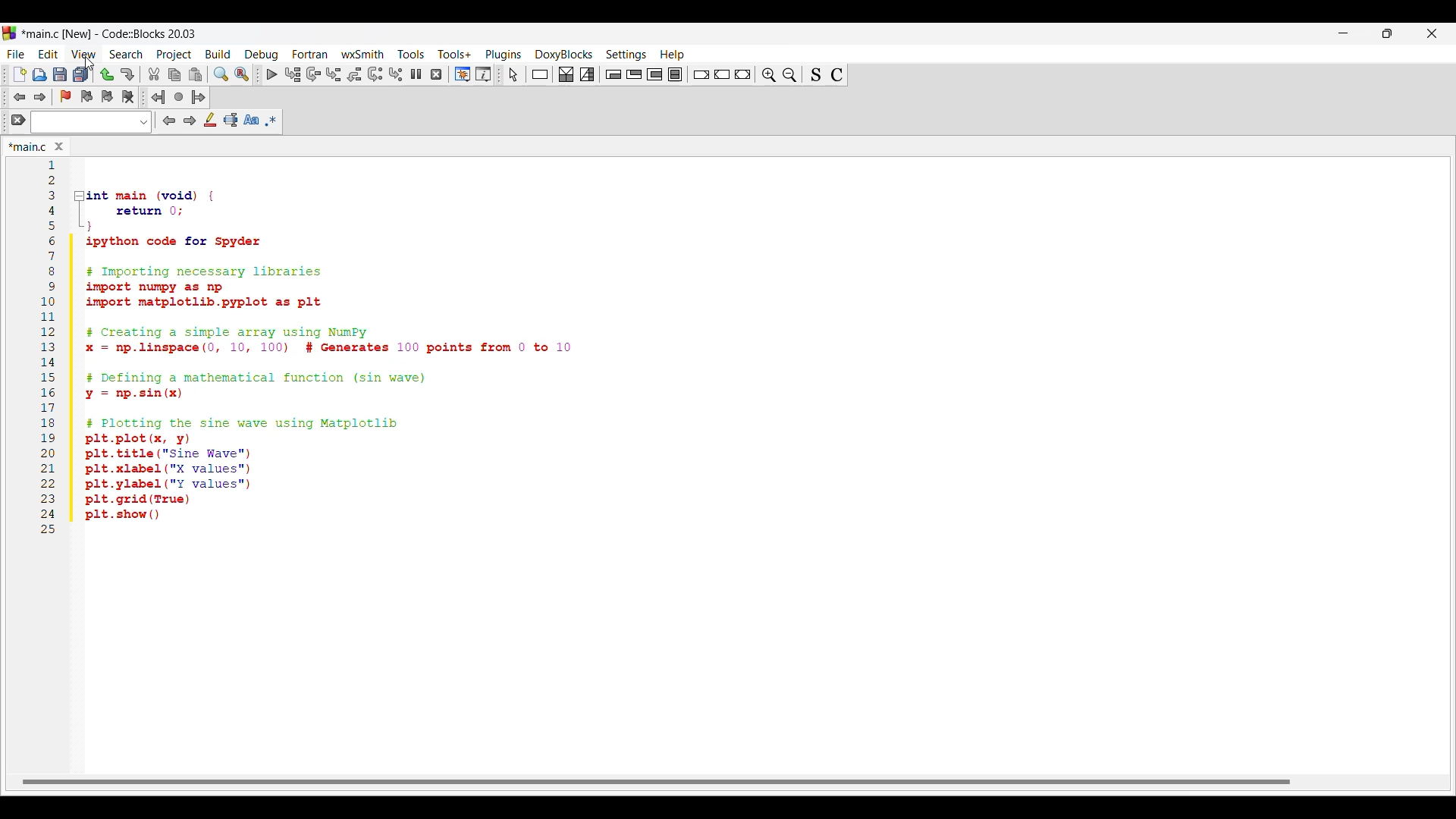 This screenshot has height=819, width=1456. Describe the element at coordinates (40, 97) in the screenshot. I see `Jump forward` at that location.